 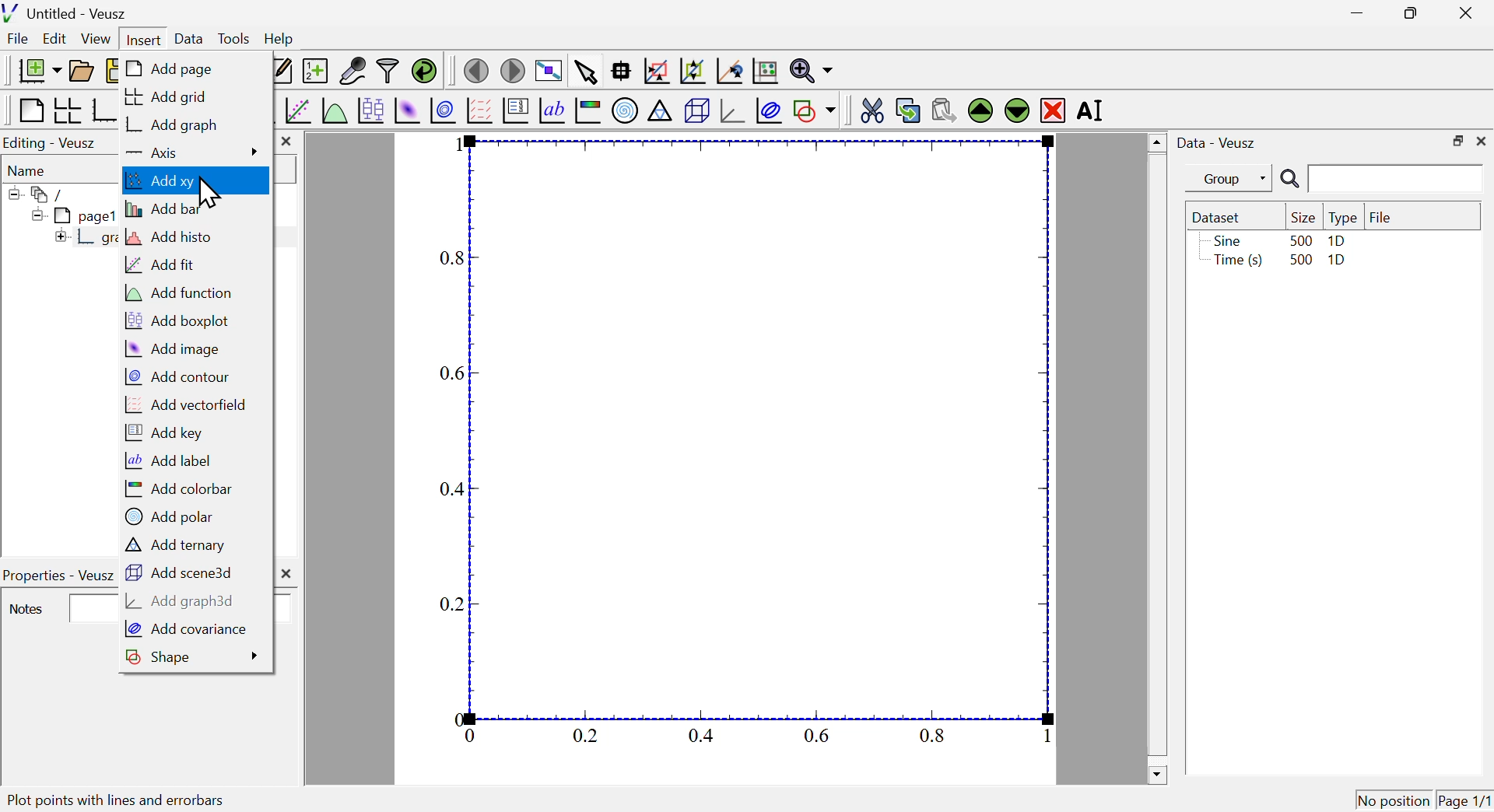 I want to click on add colorbar, so click(x=174, y=490).